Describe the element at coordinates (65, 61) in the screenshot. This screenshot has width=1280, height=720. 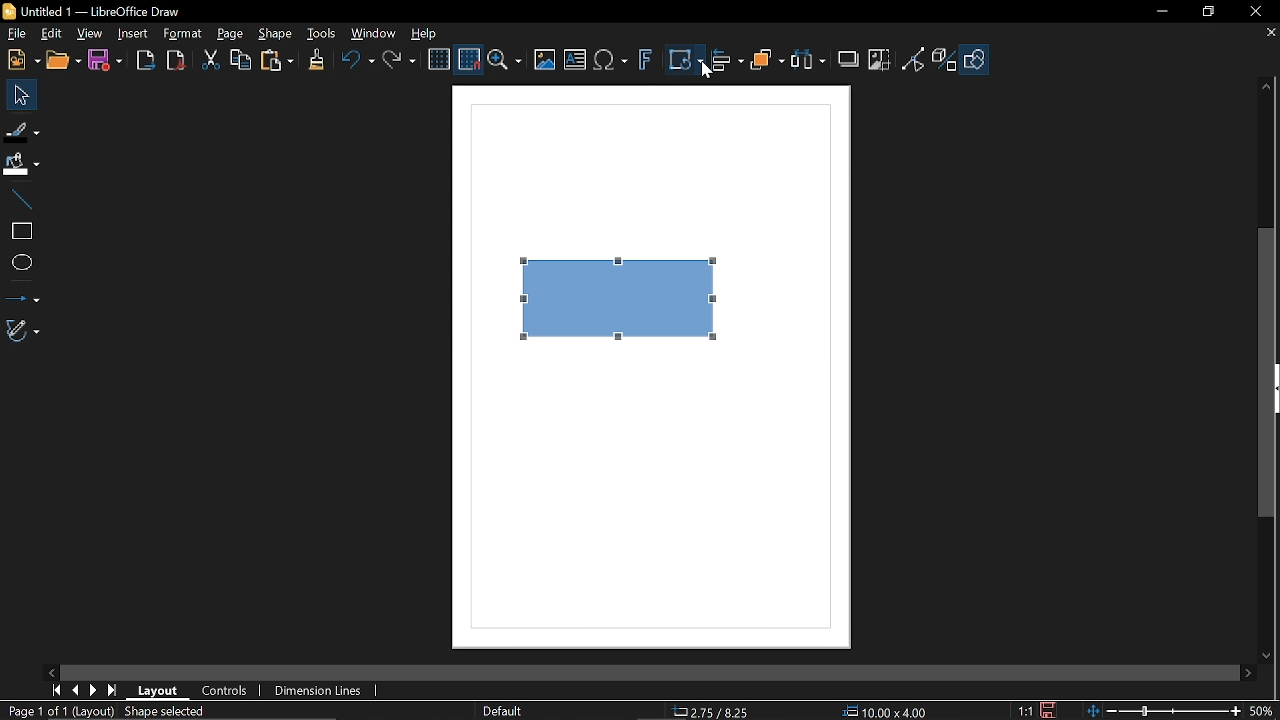
I see `Open` at that location.